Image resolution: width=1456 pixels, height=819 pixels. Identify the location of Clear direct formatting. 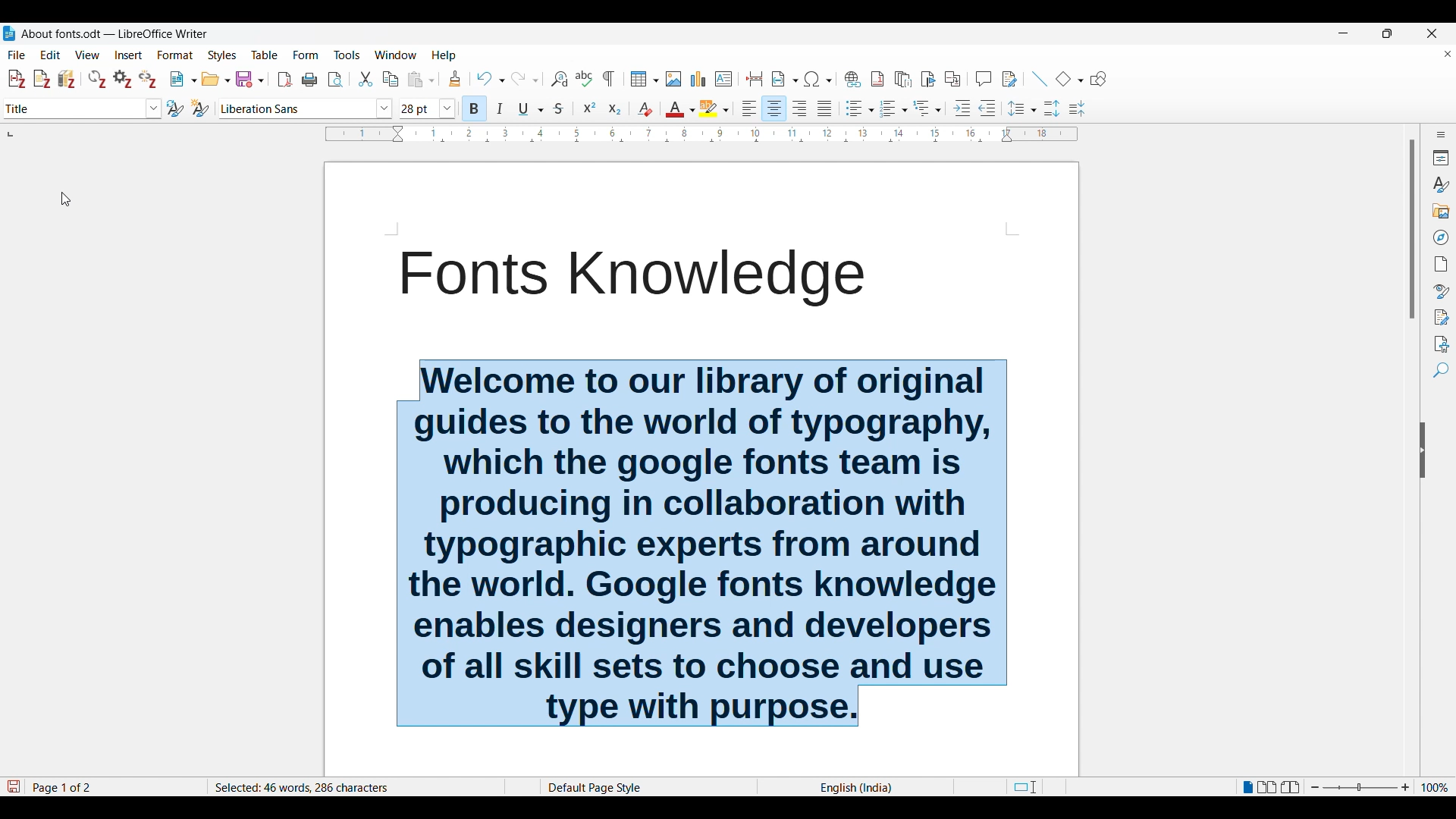
(645, 109).